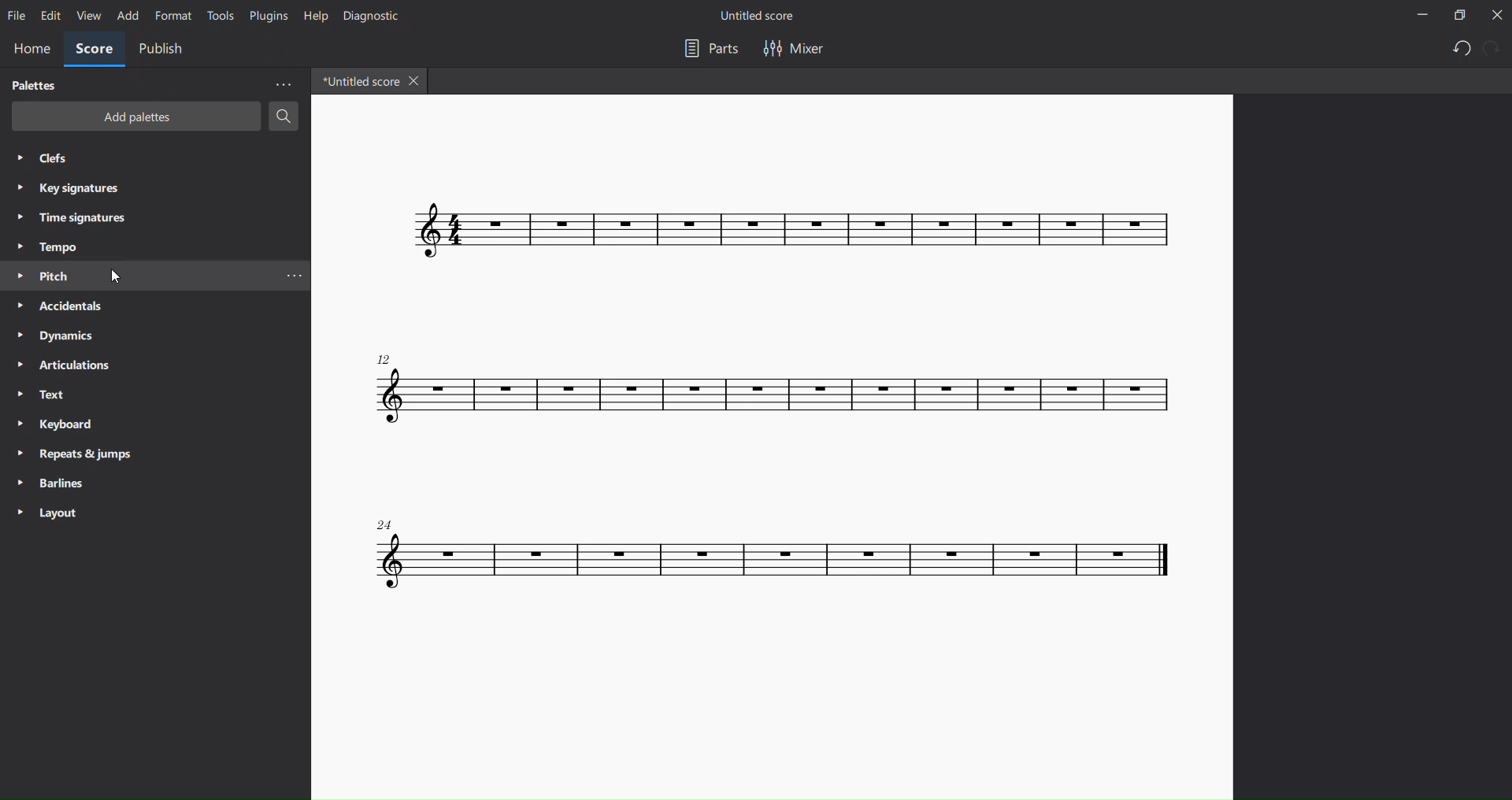 The height and width of the screenshot is (800, 1512). Describe the element at coordinates (220, 16) in the screenshot. I see `tools` at that location.